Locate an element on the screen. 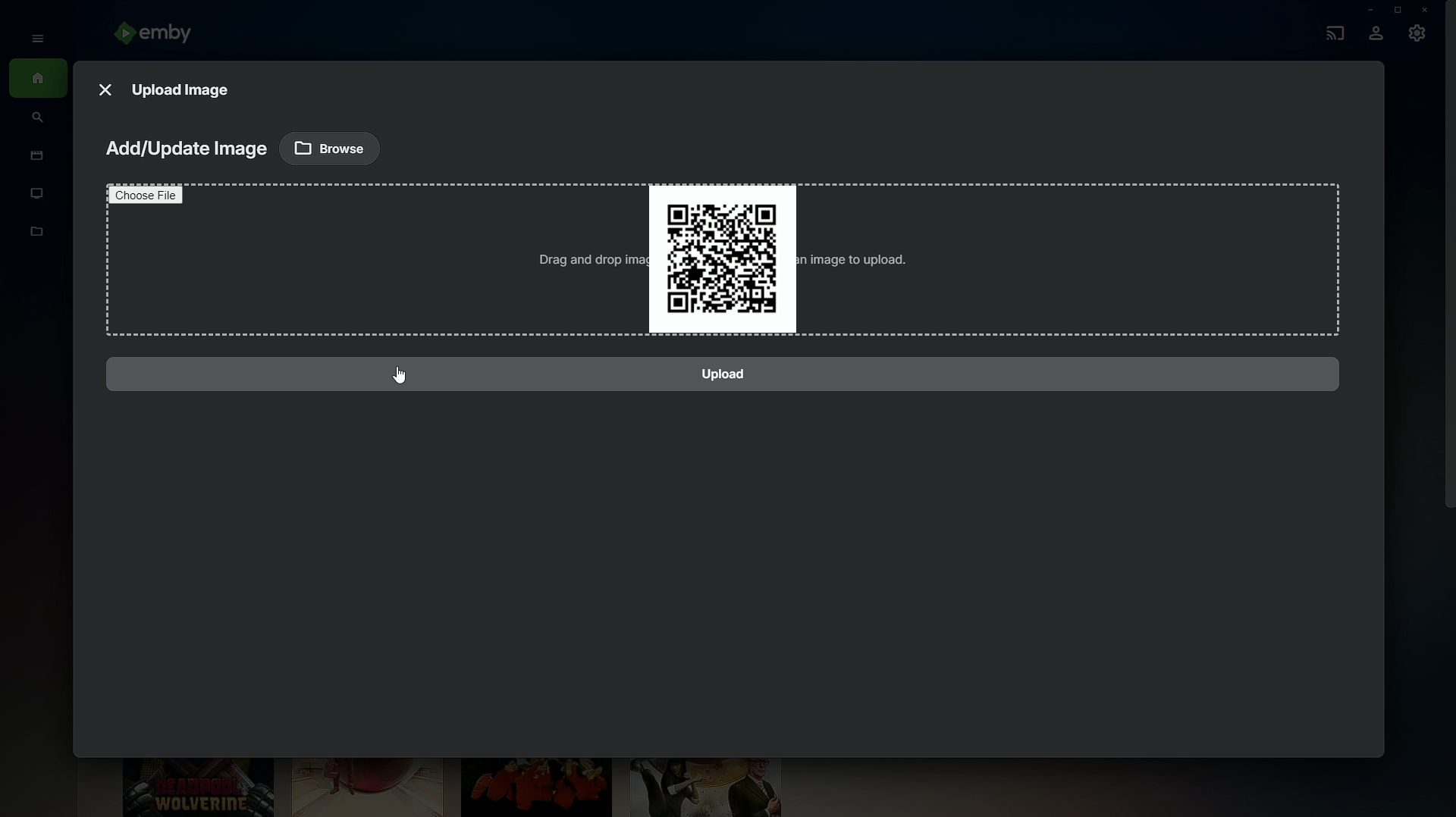   is located at coordinates (149, 194).